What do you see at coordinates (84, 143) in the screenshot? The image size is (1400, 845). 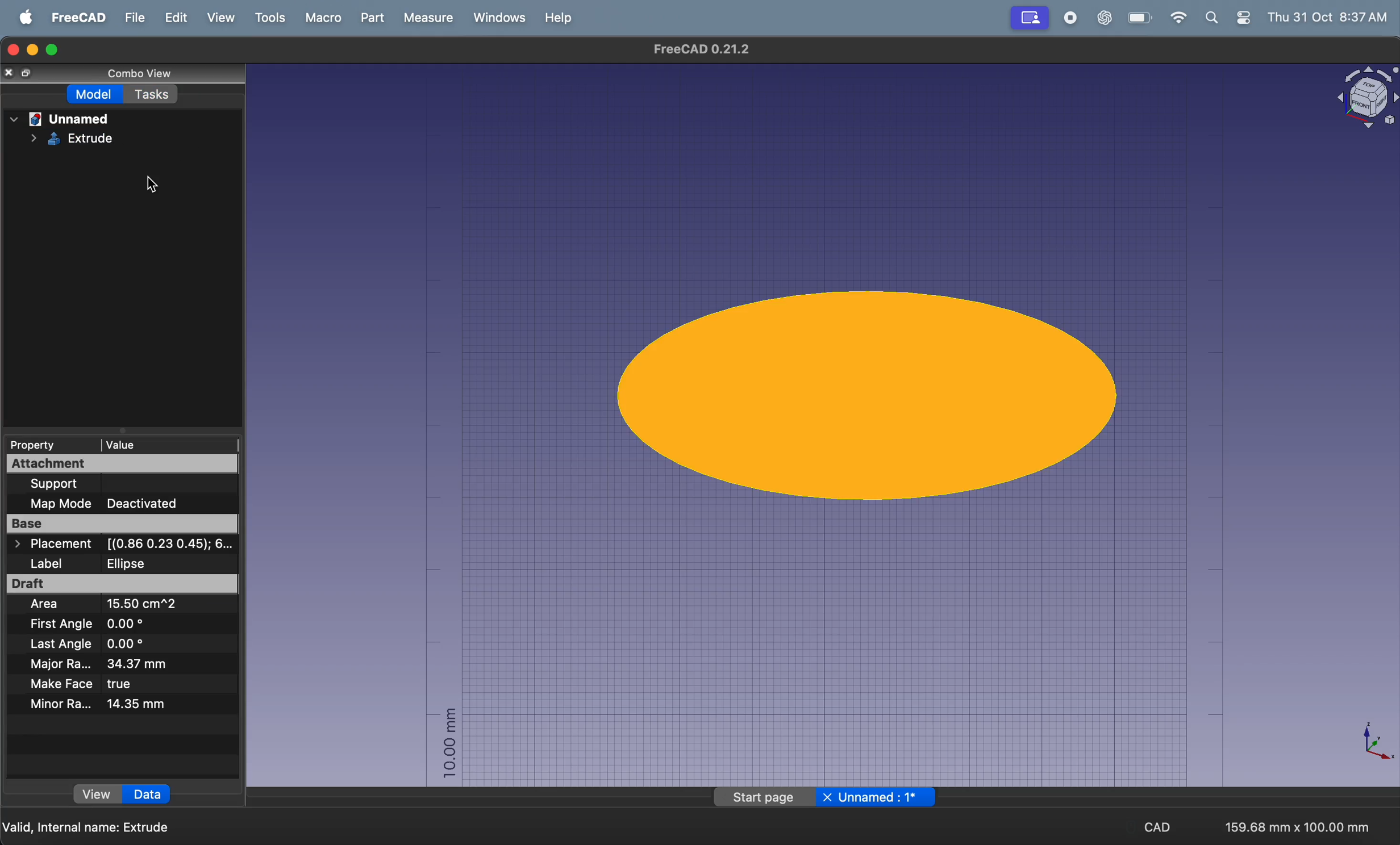 I see `extrude` at bounding box center [84, 143].